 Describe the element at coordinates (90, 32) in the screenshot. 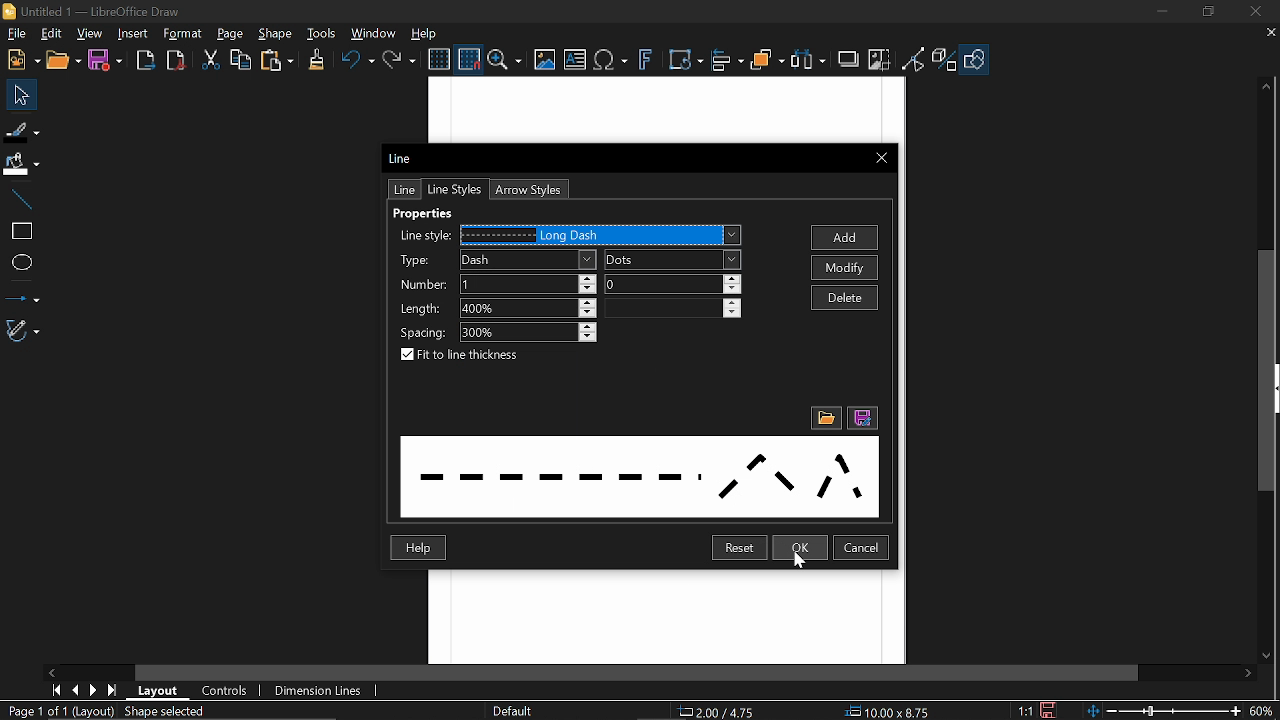

I see `View` at that location.